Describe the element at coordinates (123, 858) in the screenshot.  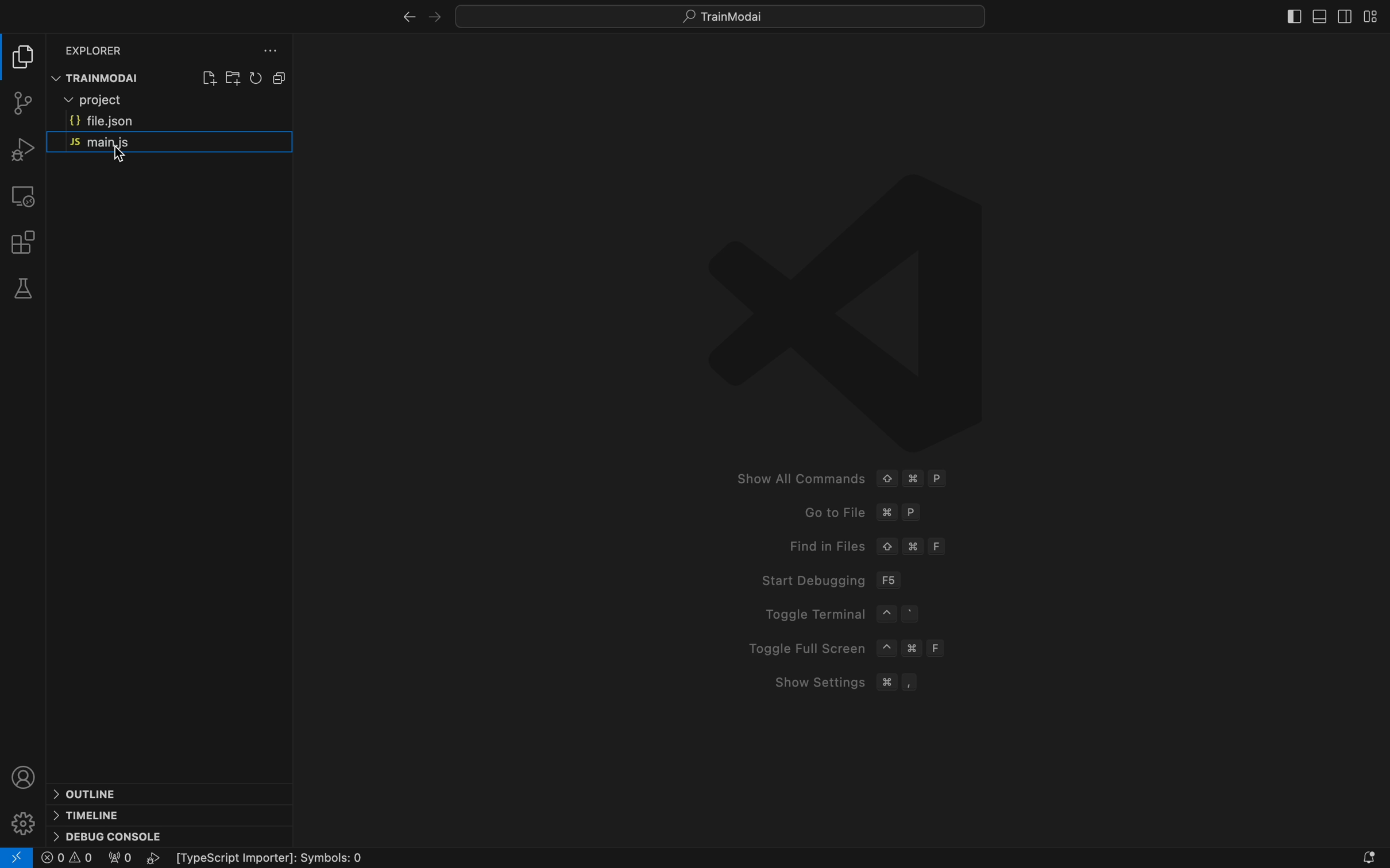
I see `0` at that location.